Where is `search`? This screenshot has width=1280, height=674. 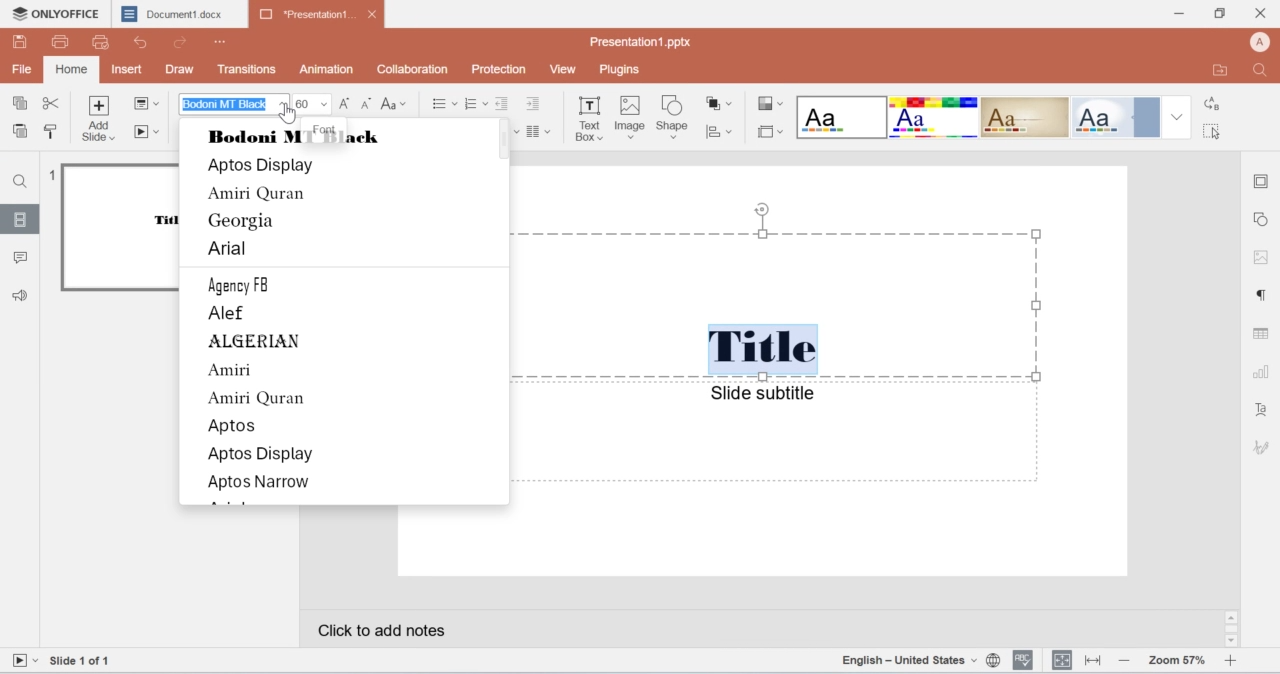
search is located at coordinates (1265, 70).